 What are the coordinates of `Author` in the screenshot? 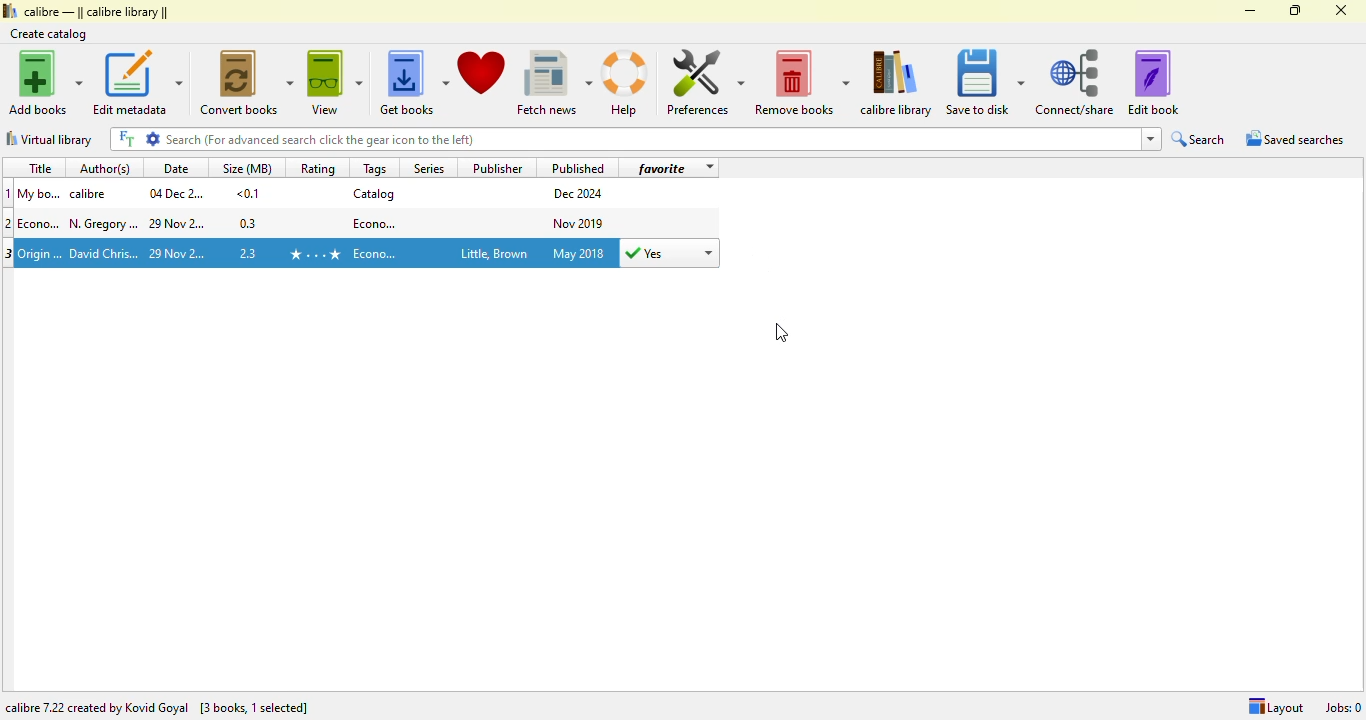 It's located at (104, 254).